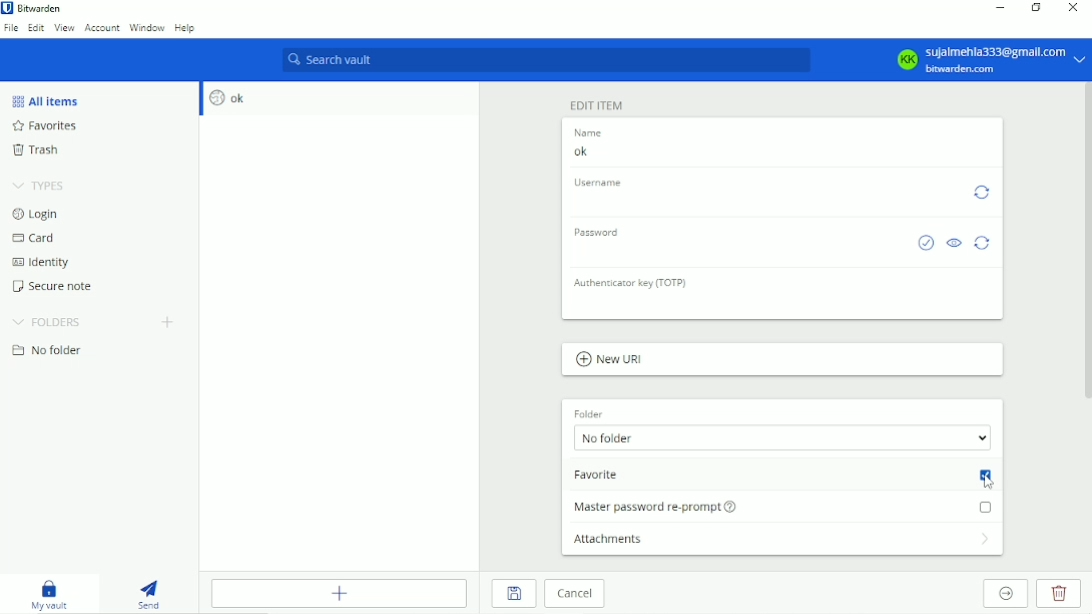 This screenshot has height=614, width=1092. Describe the element at coordinates (599, 232) in the screenshot. I see `Password` at that location.